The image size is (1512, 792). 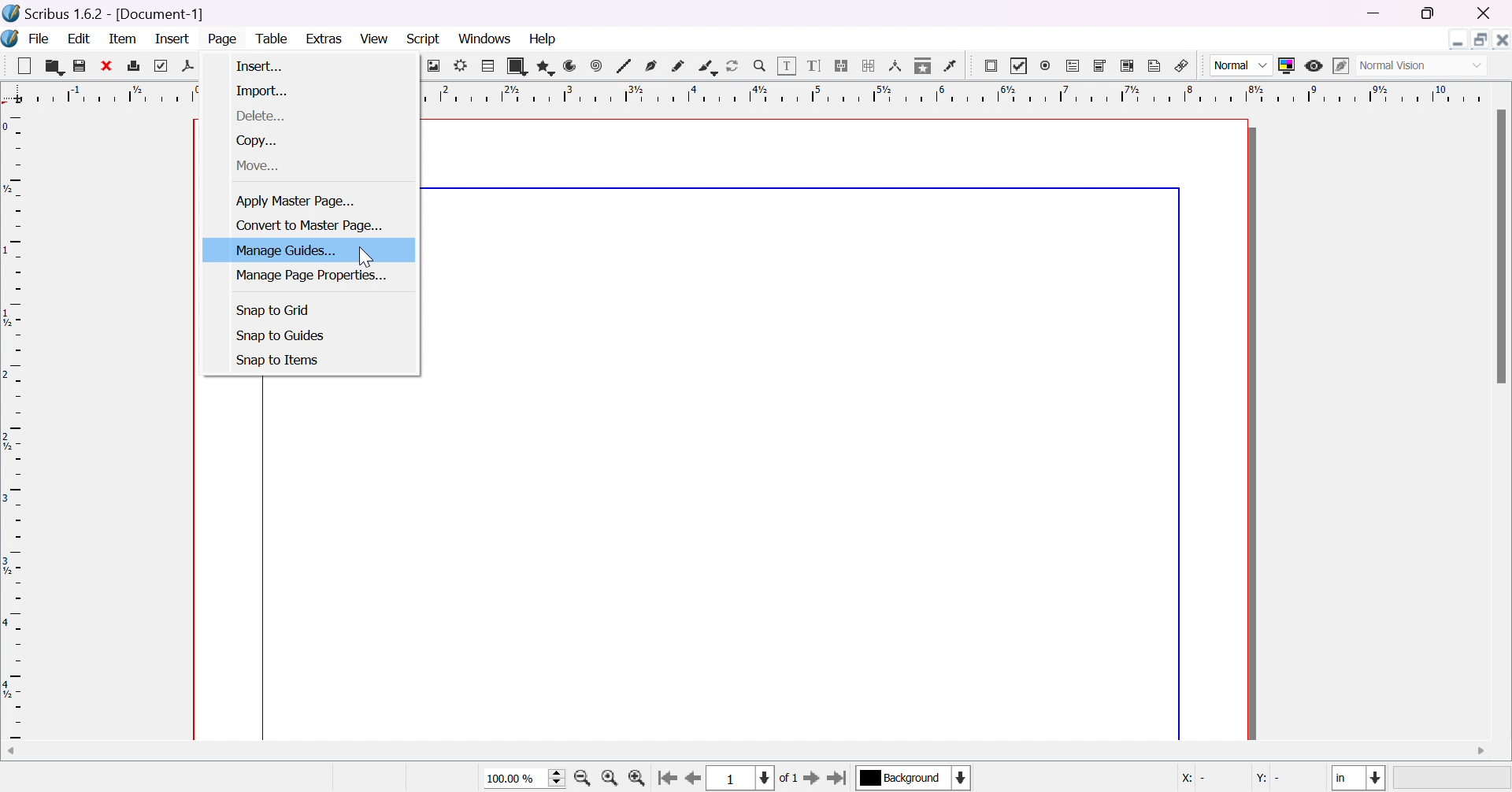 What do you see at coordinates (840, 777) in the screenshot?
I see `go to last page` at bounding box center [840, 777].